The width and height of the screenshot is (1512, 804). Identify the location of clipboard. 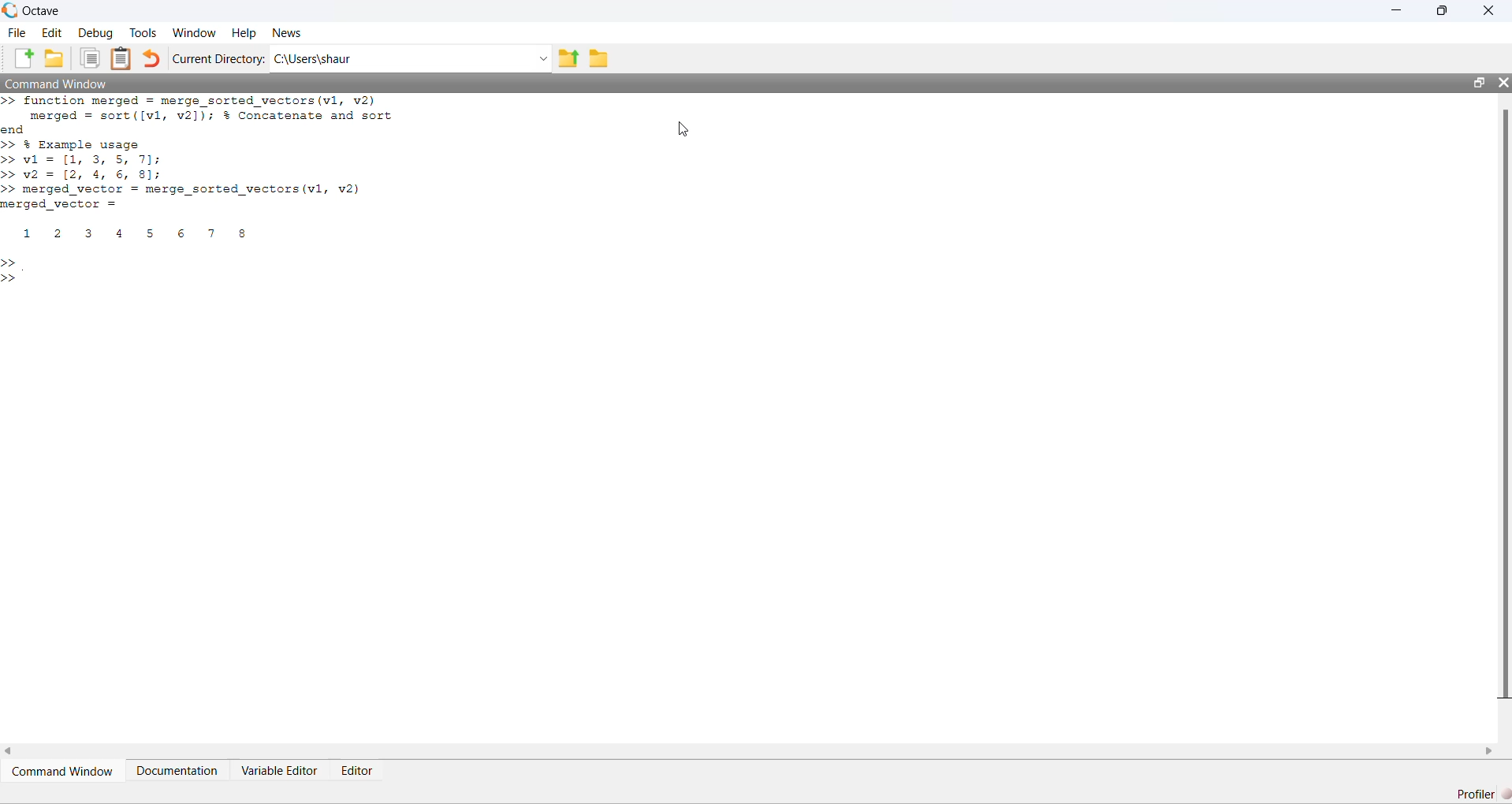
(121, 58).